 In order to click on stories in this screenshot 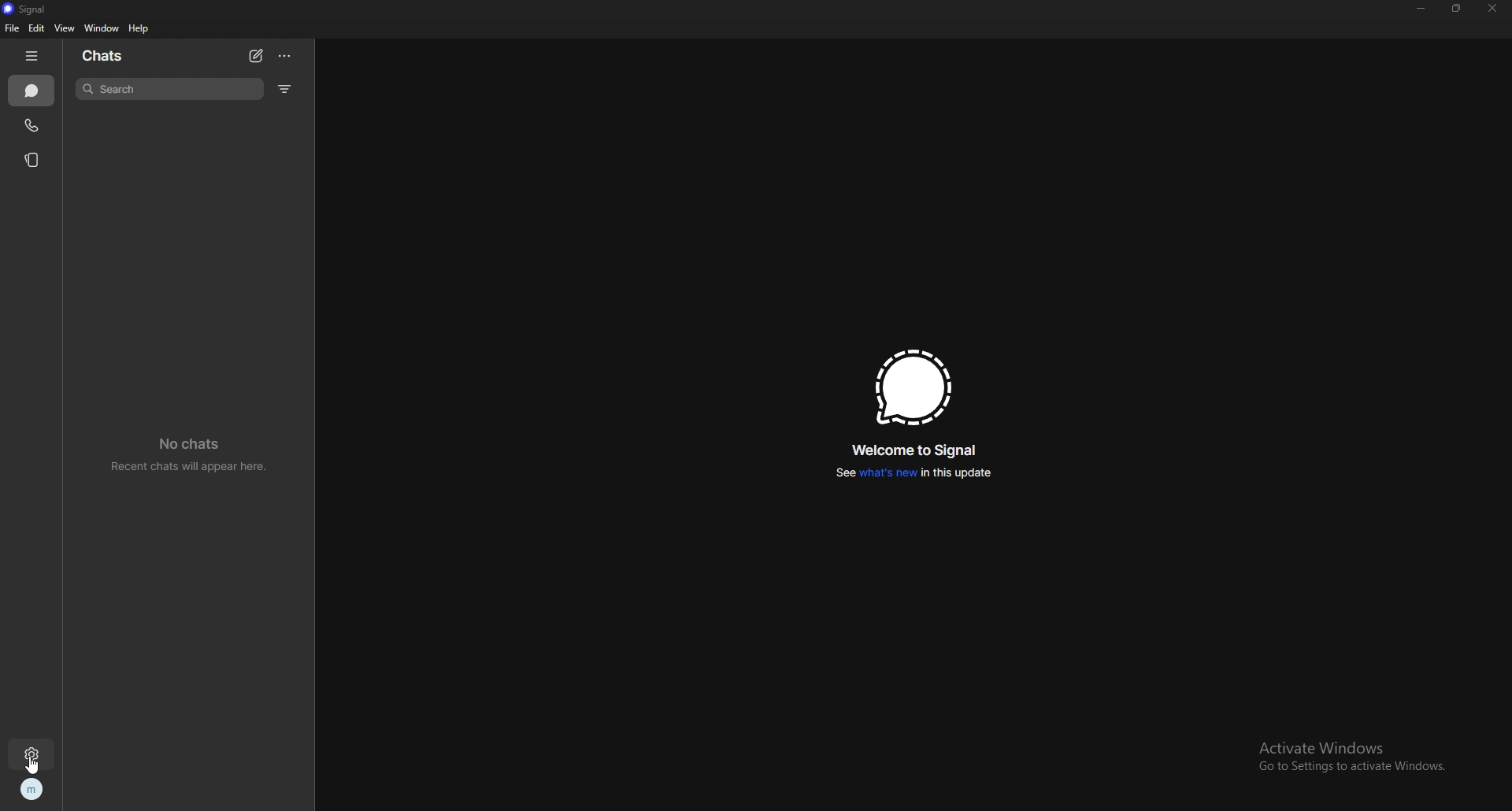, I will do `click(35, 161)`.